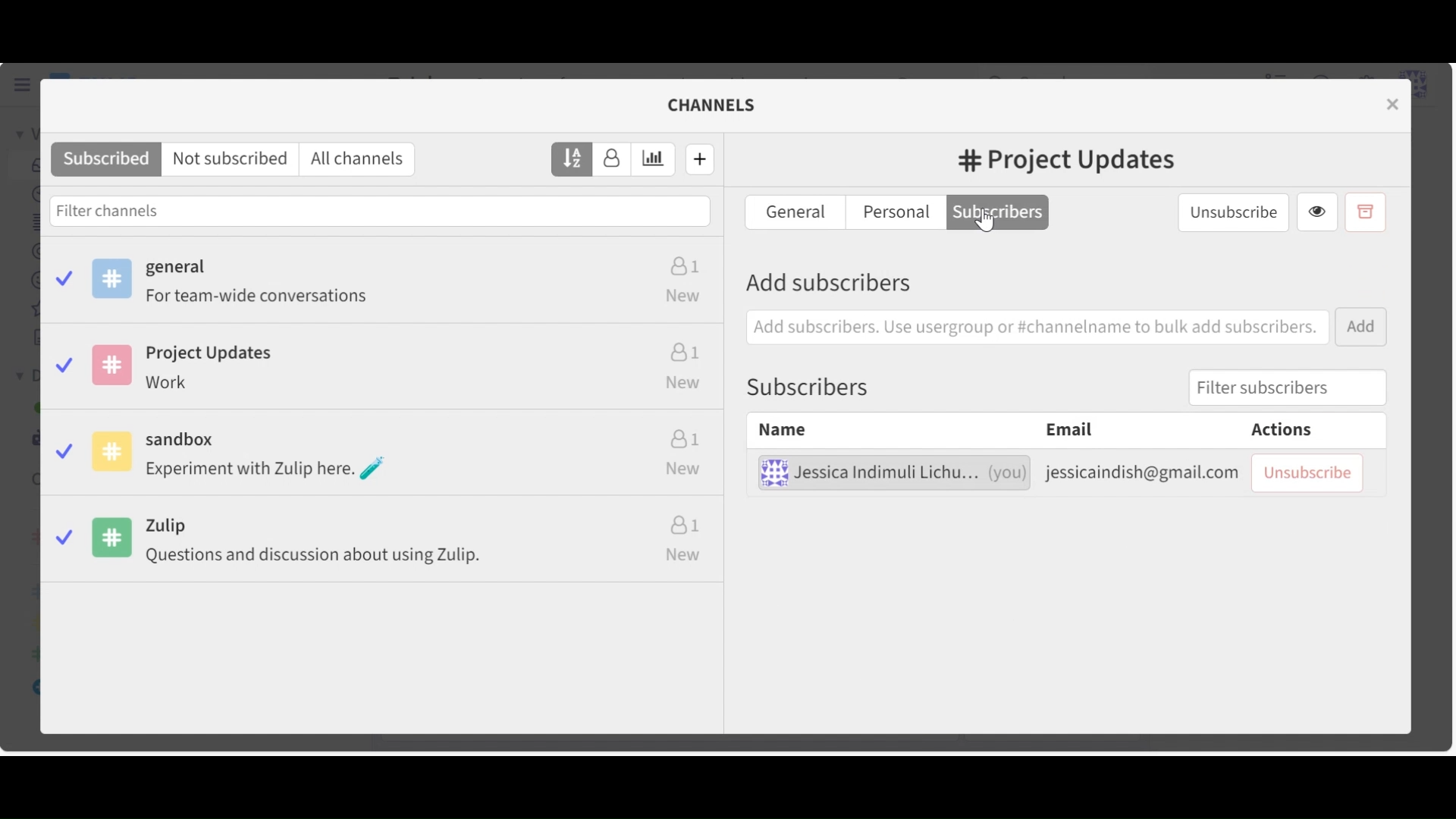  Describe the element at coordinates (821, 389) in the screenshot. I see `Subscribers` at that location.